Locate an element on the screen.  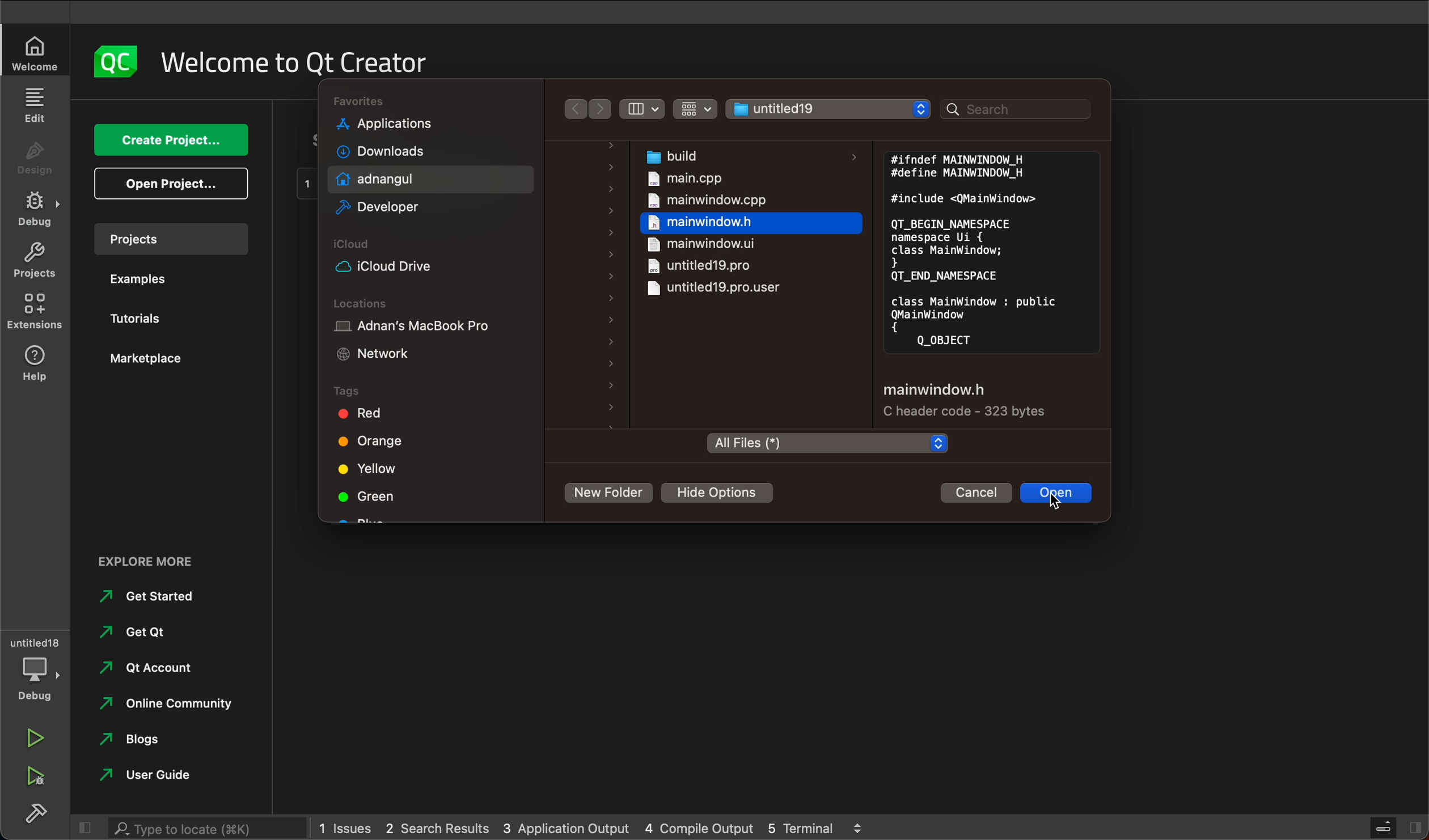
tutorials is located at coordinates (139, 319).